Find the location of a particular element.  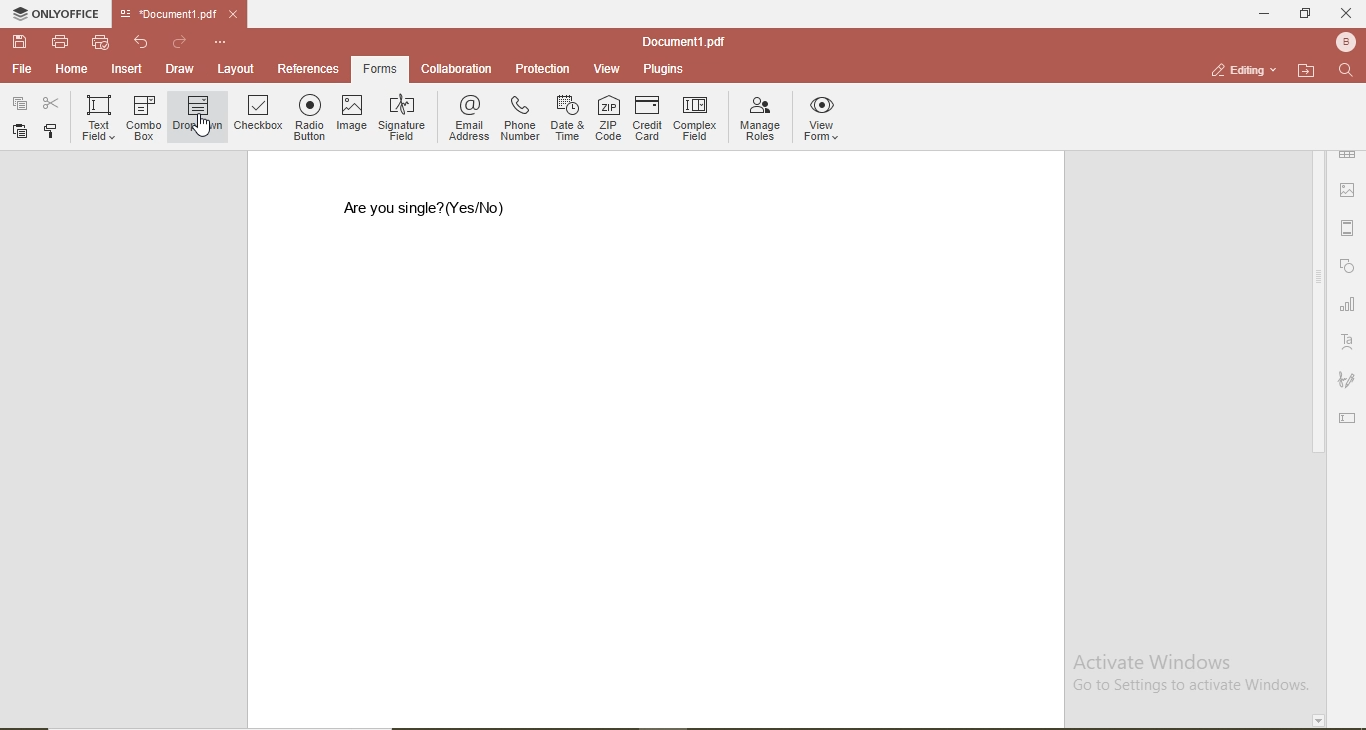

email address is located at coordinates (467, 116).